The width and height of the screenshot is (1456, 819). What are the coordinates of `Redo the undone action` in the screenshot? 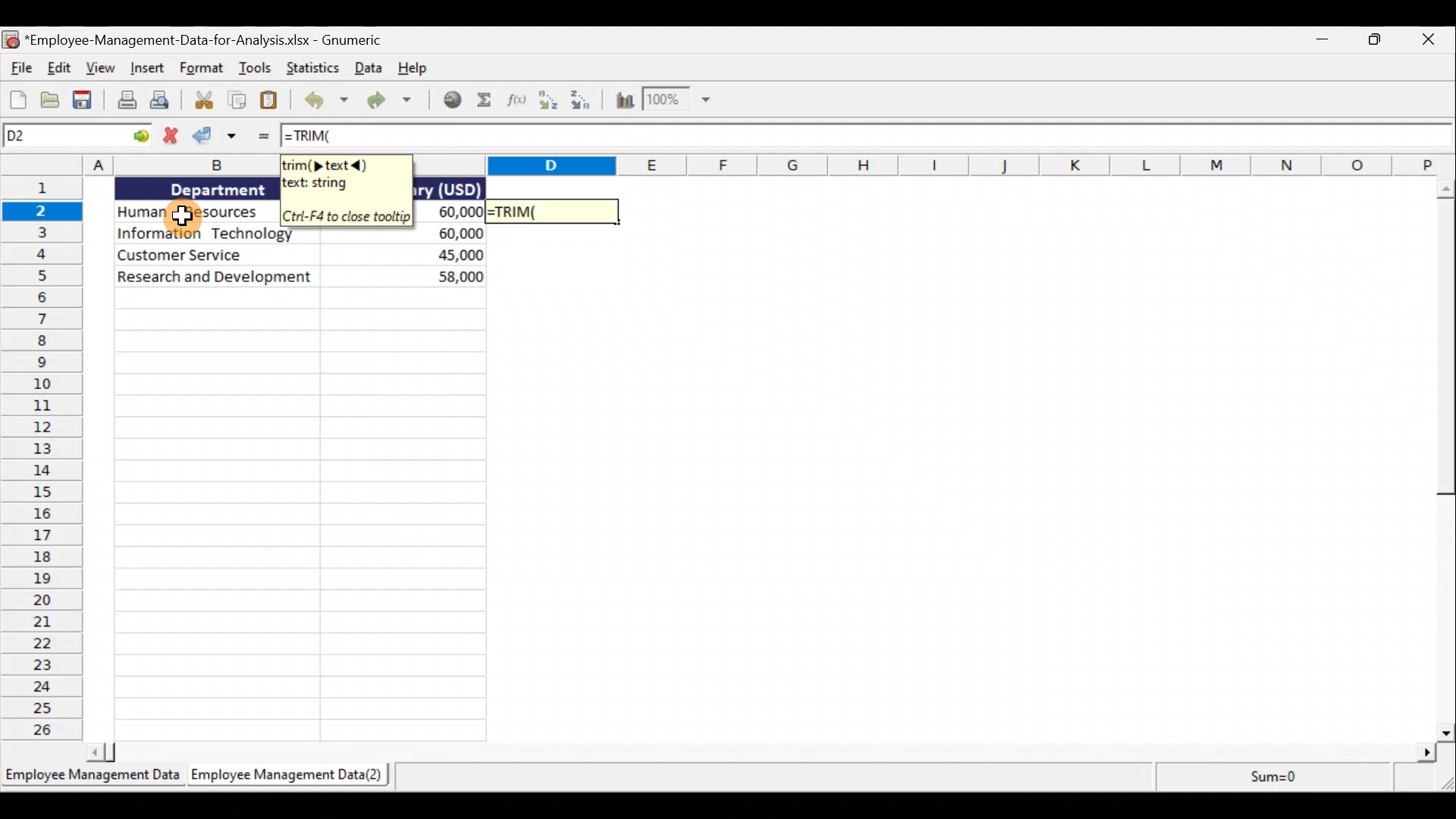 It's located at (395, 102).